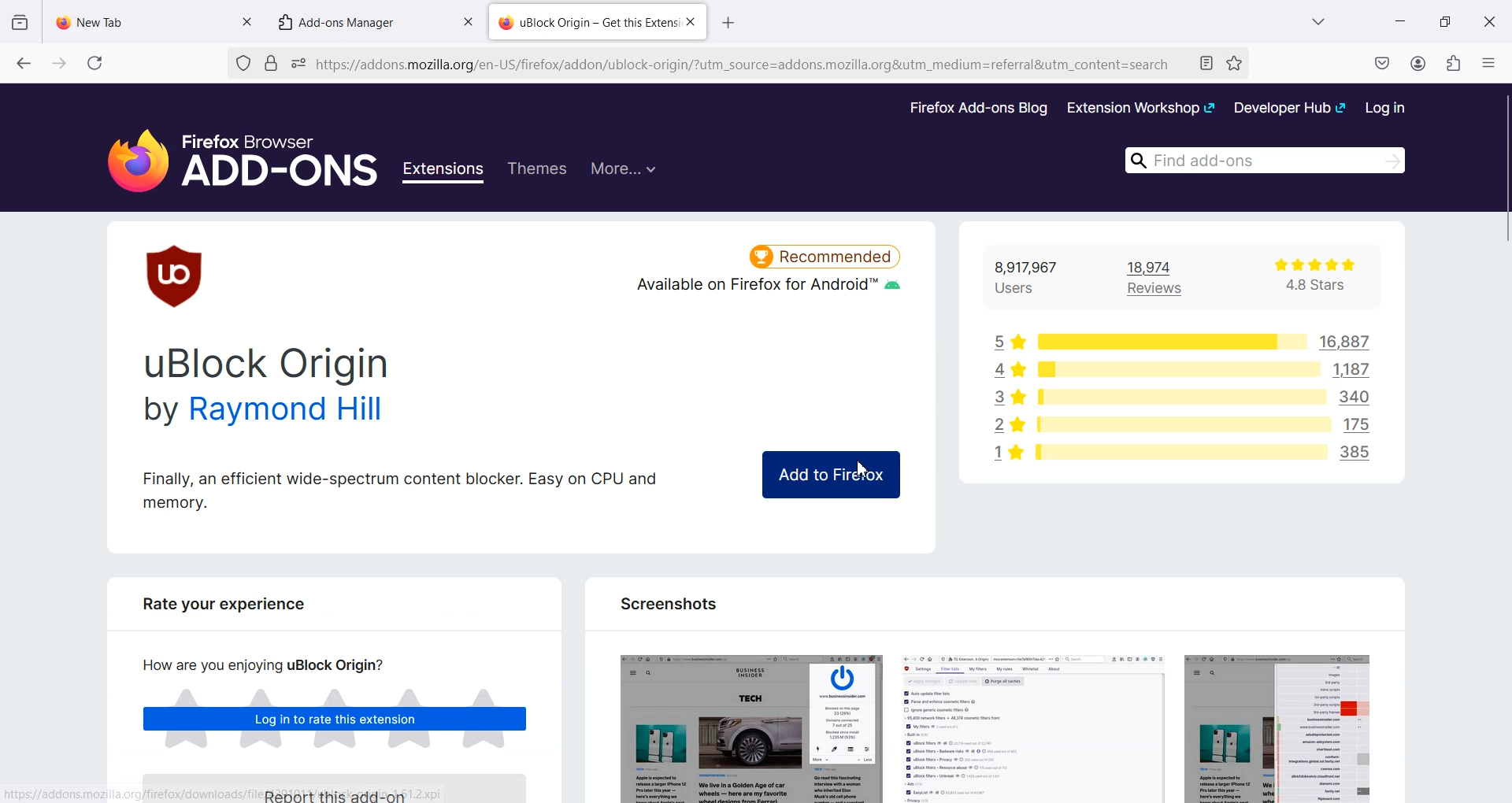  Describe the element at coordinates (241, 64) in the screenshot. I see `No trackers known to Firefox` at that location.